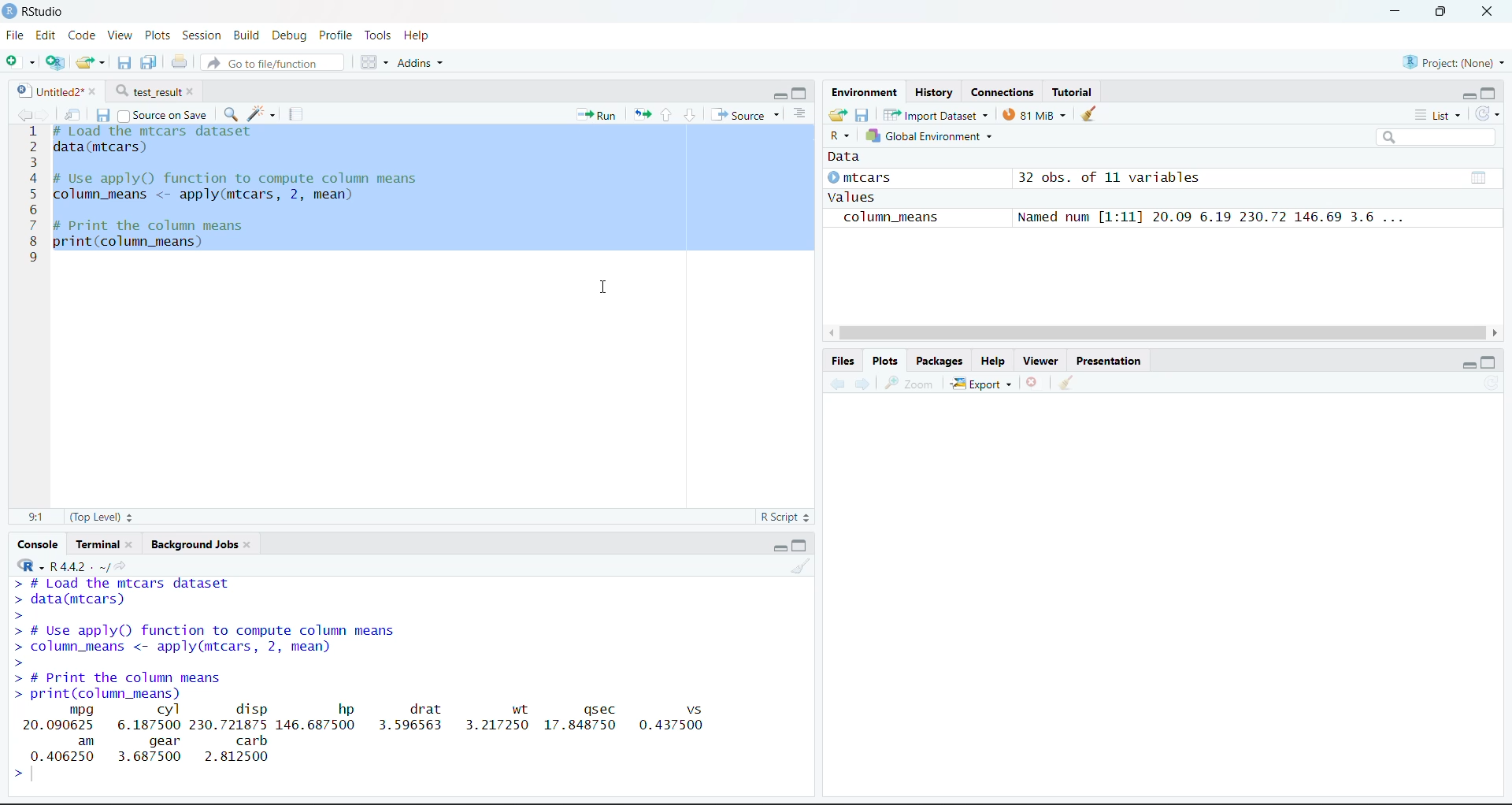  I want to click on New File, so click(21, 61).